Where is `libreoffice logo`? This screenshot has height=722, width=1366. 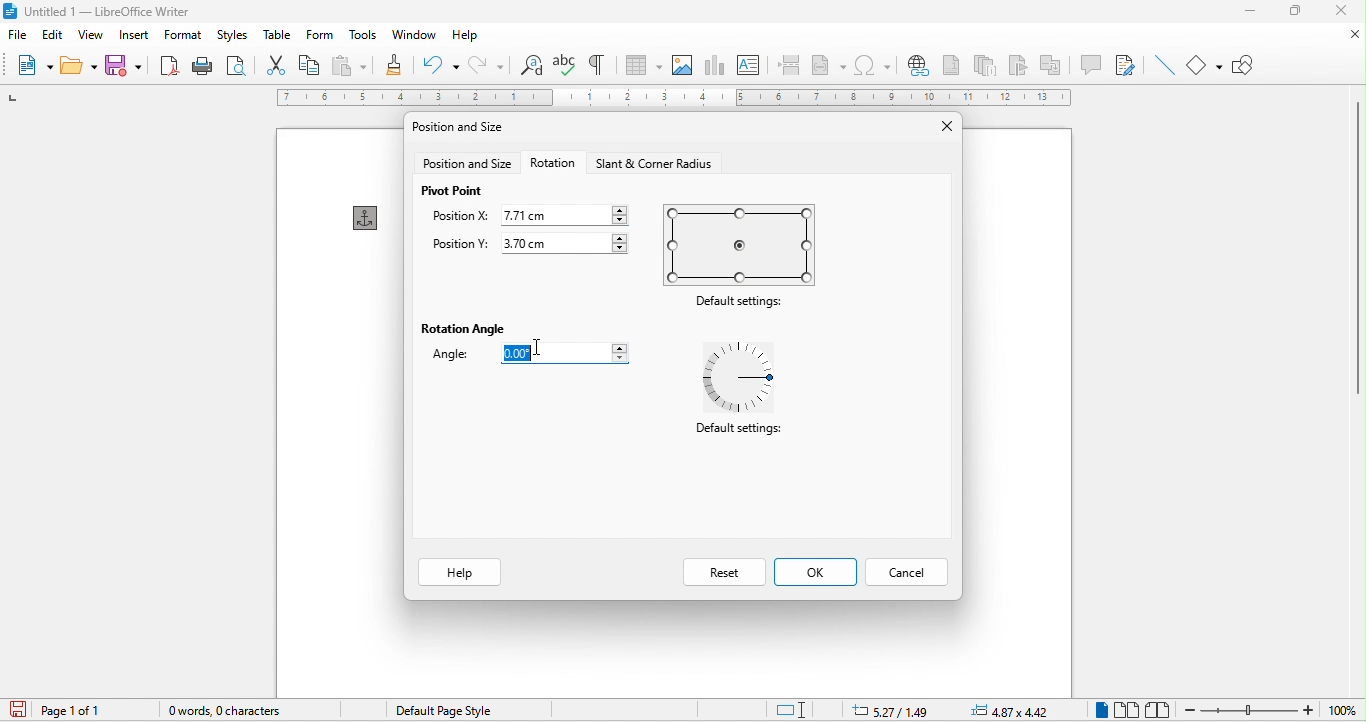
libreoffice logo is located at coordinates (10, 11).